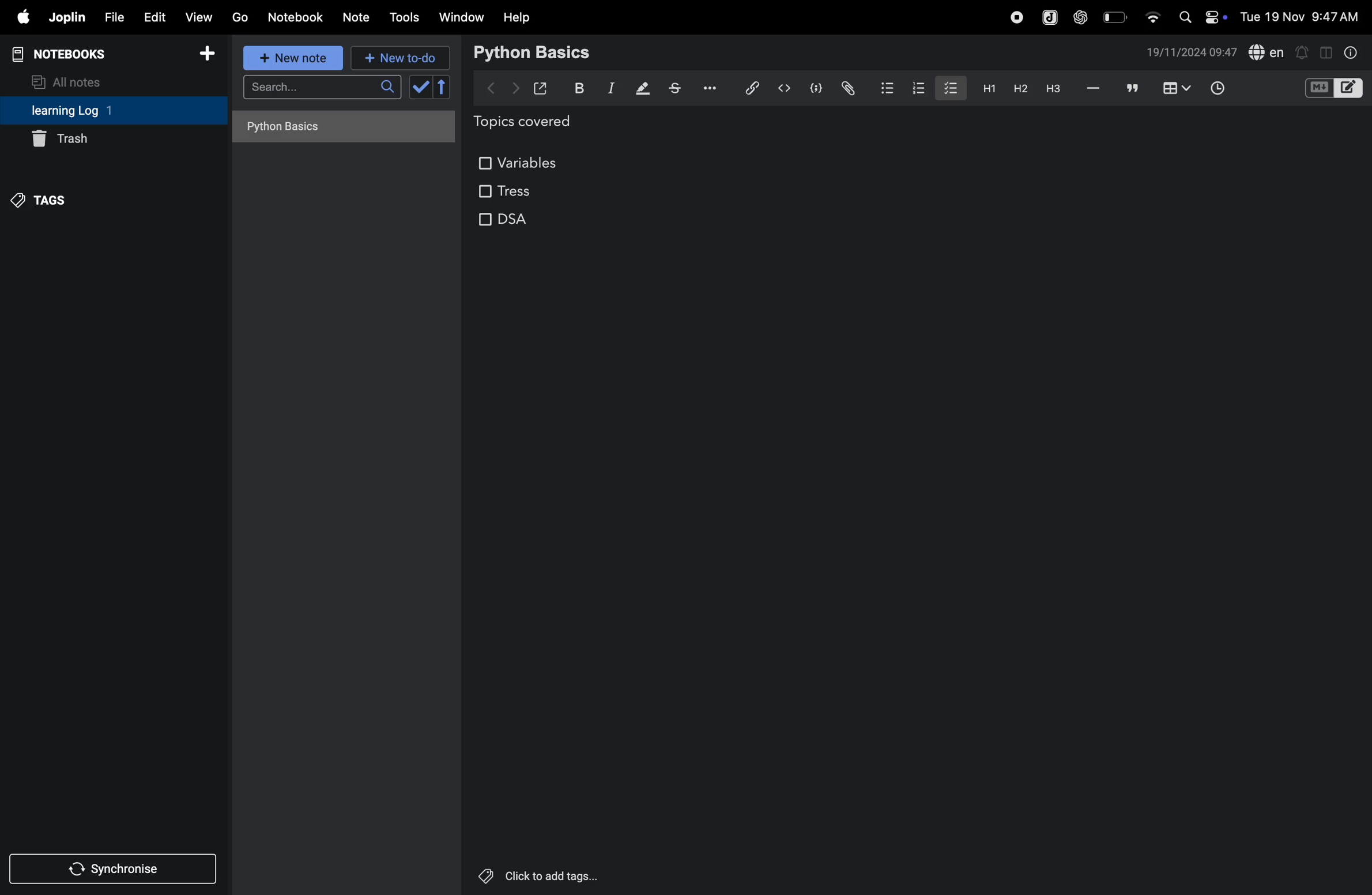  What do you see at coordinates (1231, 89) in the screenshot?
I see `add time` at bounding box center [1231, 89].